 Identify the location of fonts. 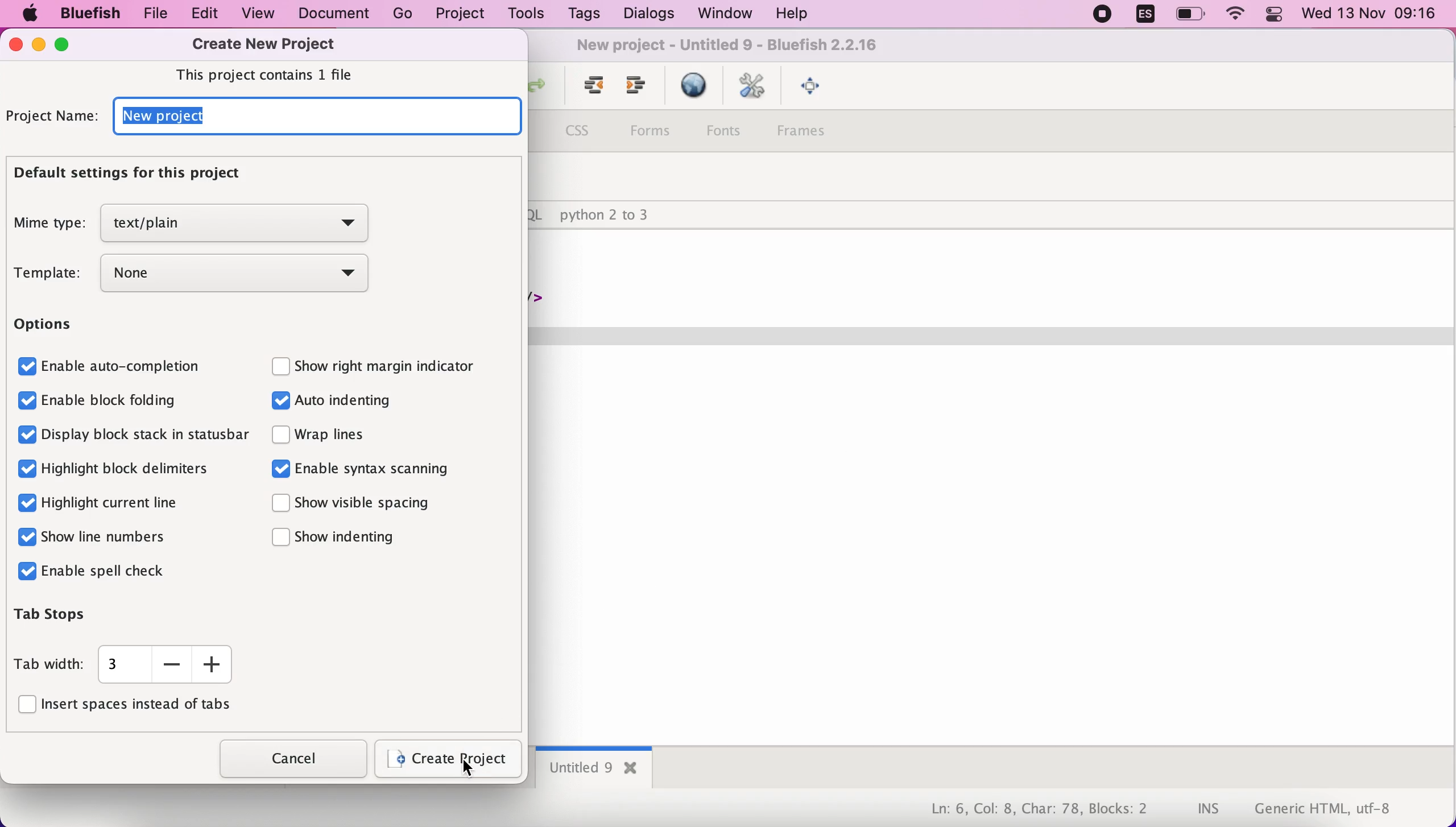
(729, 130).